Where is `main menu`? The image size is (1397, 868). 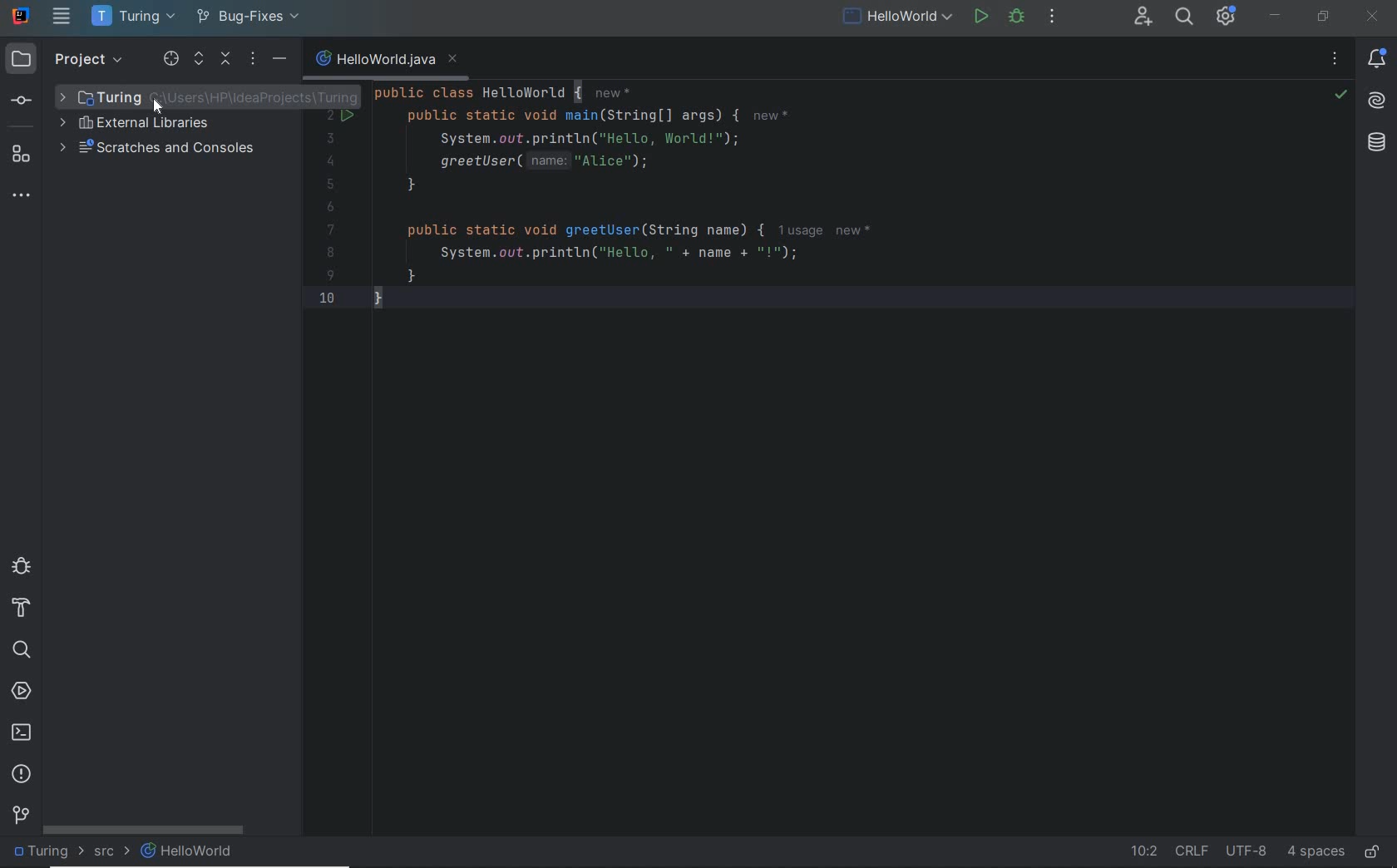 main menu is located at coordinates (63, 16).